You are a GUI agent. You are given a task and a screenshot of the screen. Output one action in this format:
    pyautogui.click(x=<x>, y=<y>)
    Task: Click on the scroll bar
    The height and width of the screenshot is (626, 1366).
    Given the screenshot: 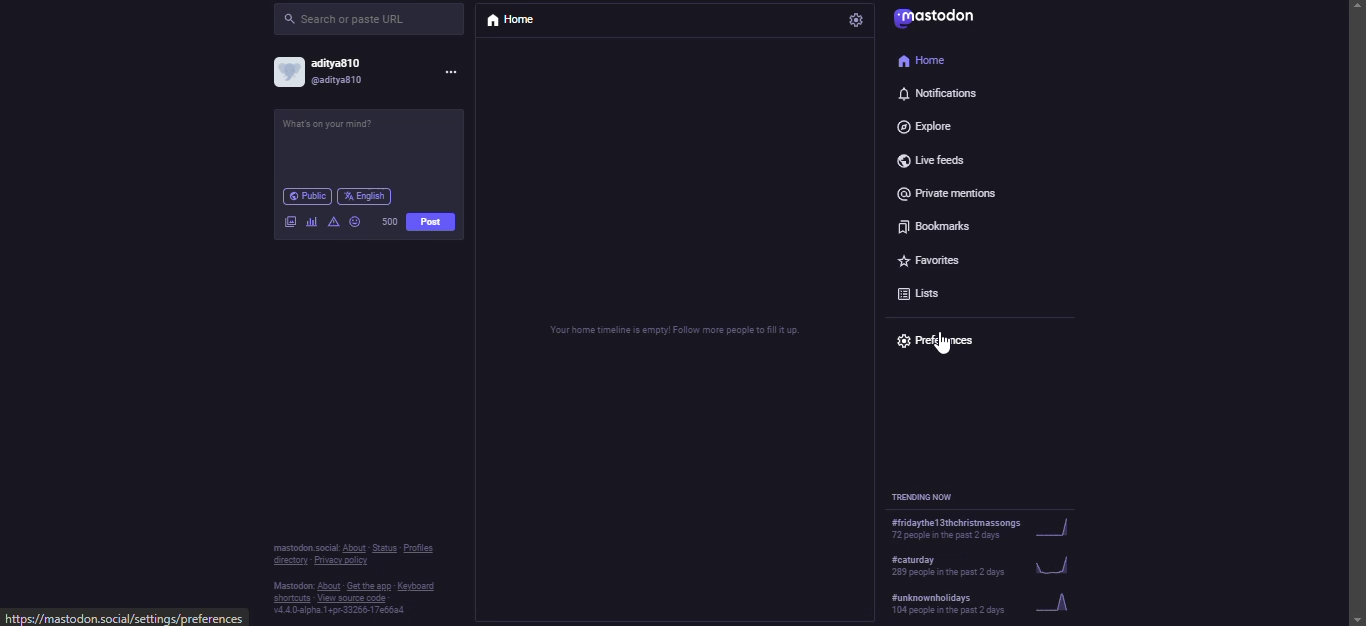 What is the action you would take?
    pyautogui.click(x=1356, y=297)
    